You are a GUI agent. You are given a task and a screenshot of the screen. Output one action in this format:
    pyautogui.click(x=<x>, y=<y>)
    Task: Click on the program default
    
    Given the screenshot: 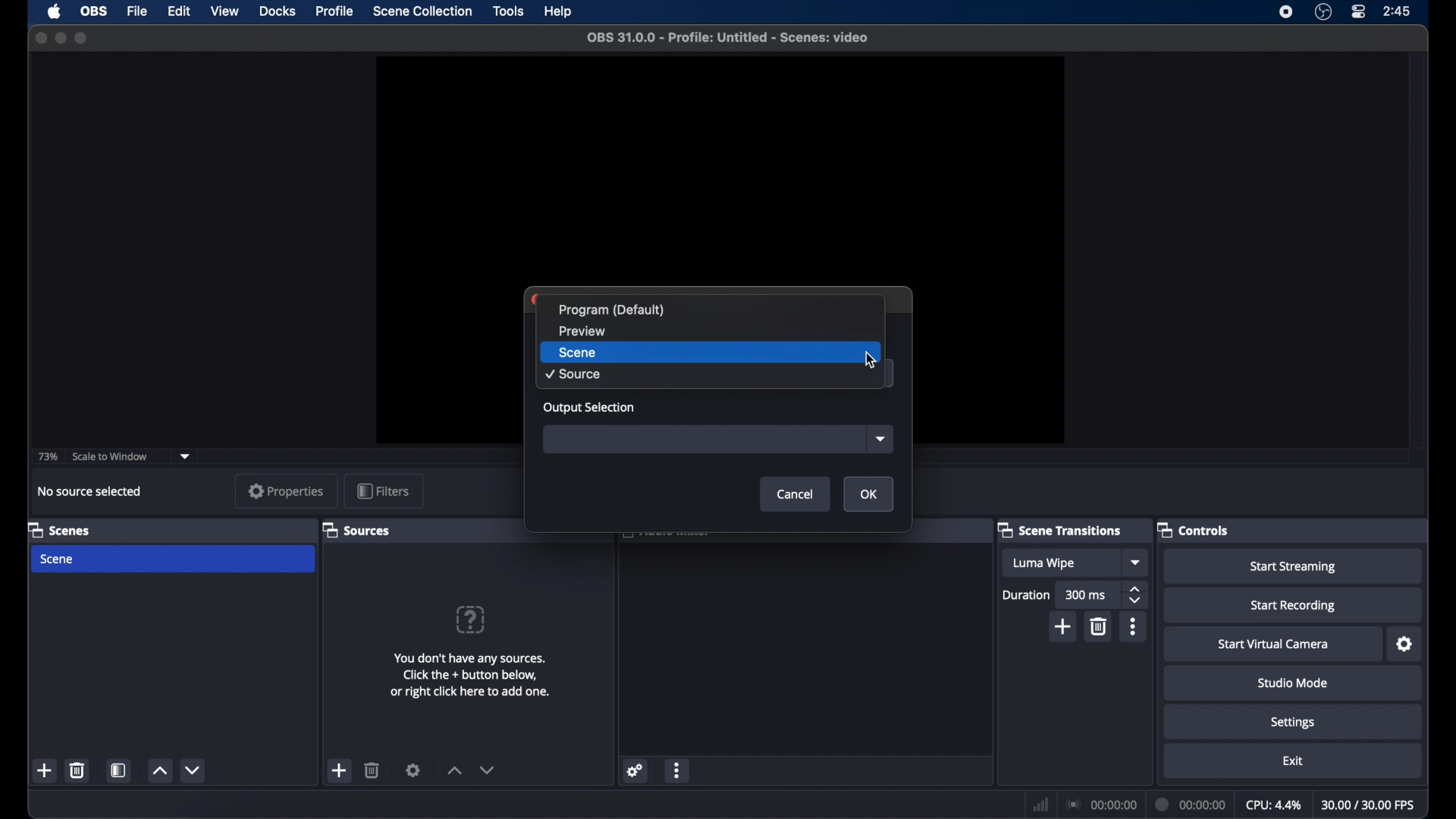 What is the action you would take?
    pyautogui.click(x=711, y=309)
    